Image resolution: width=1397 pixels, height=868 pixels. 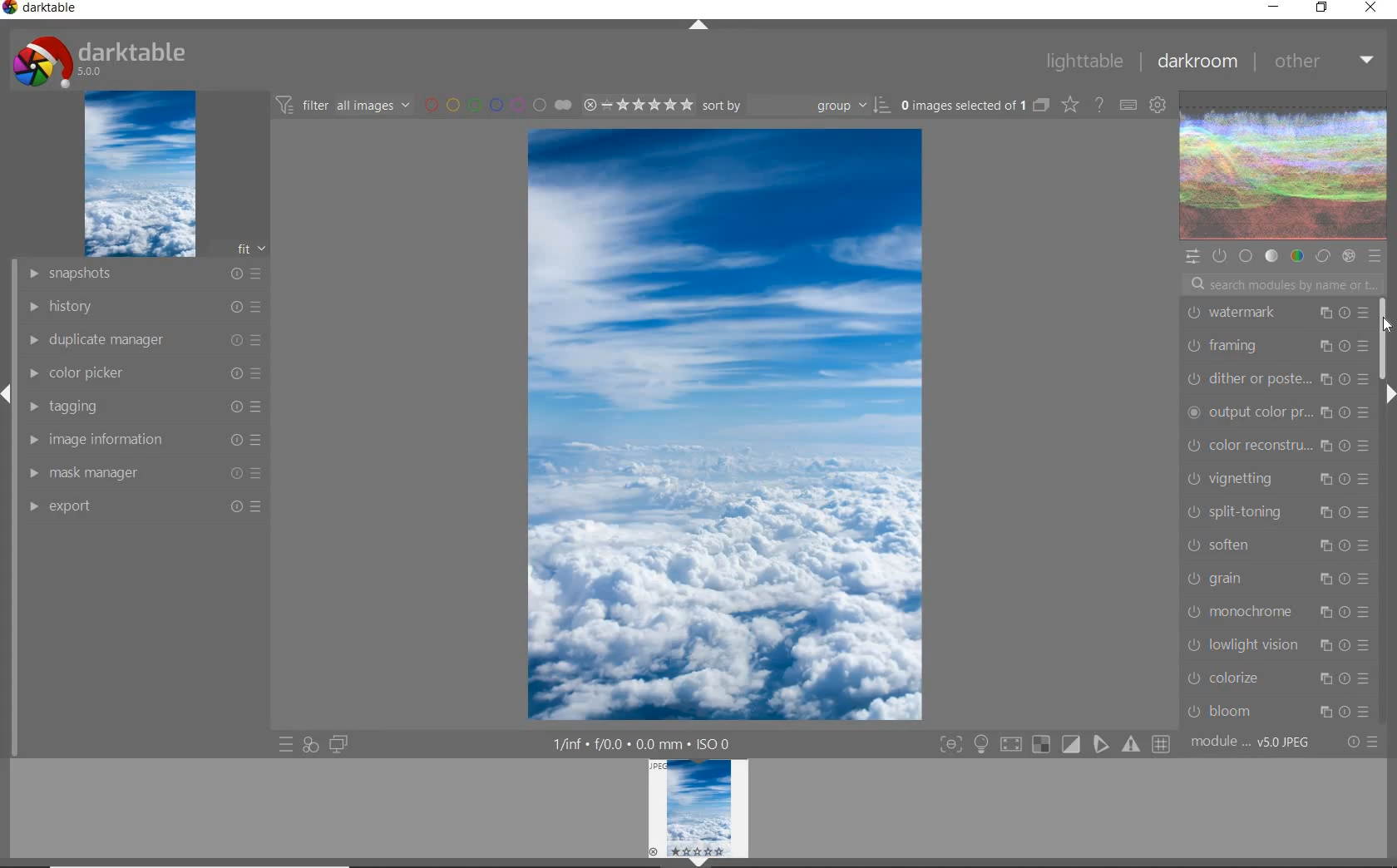 I want to click on BLOOM, so click(x=1276, y=711).